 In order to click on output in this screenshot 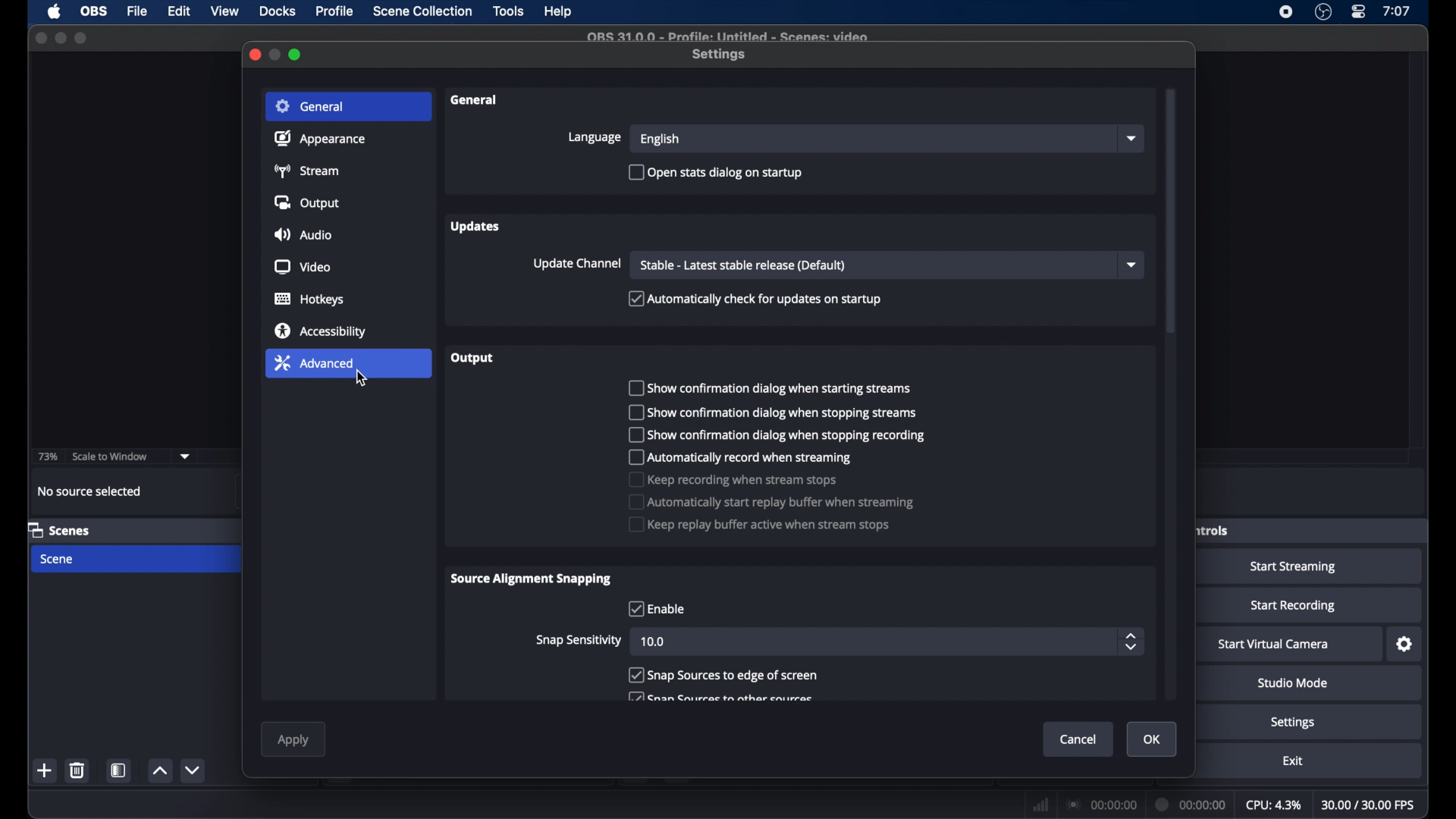, I will do `click(310, 203)`.